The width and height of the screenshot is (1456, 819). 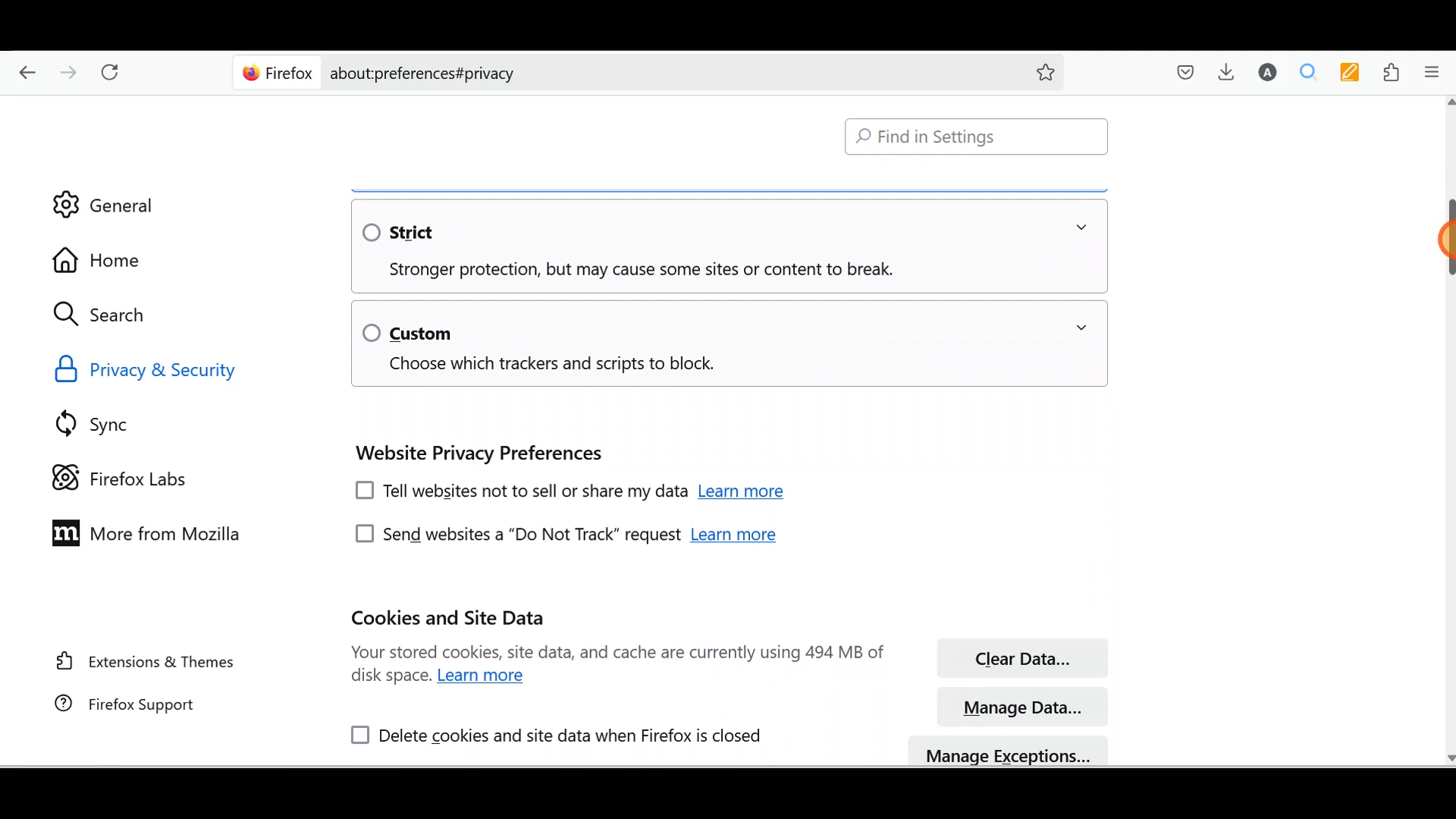 I want to click on Extensions, so click(x=1393, y=73).